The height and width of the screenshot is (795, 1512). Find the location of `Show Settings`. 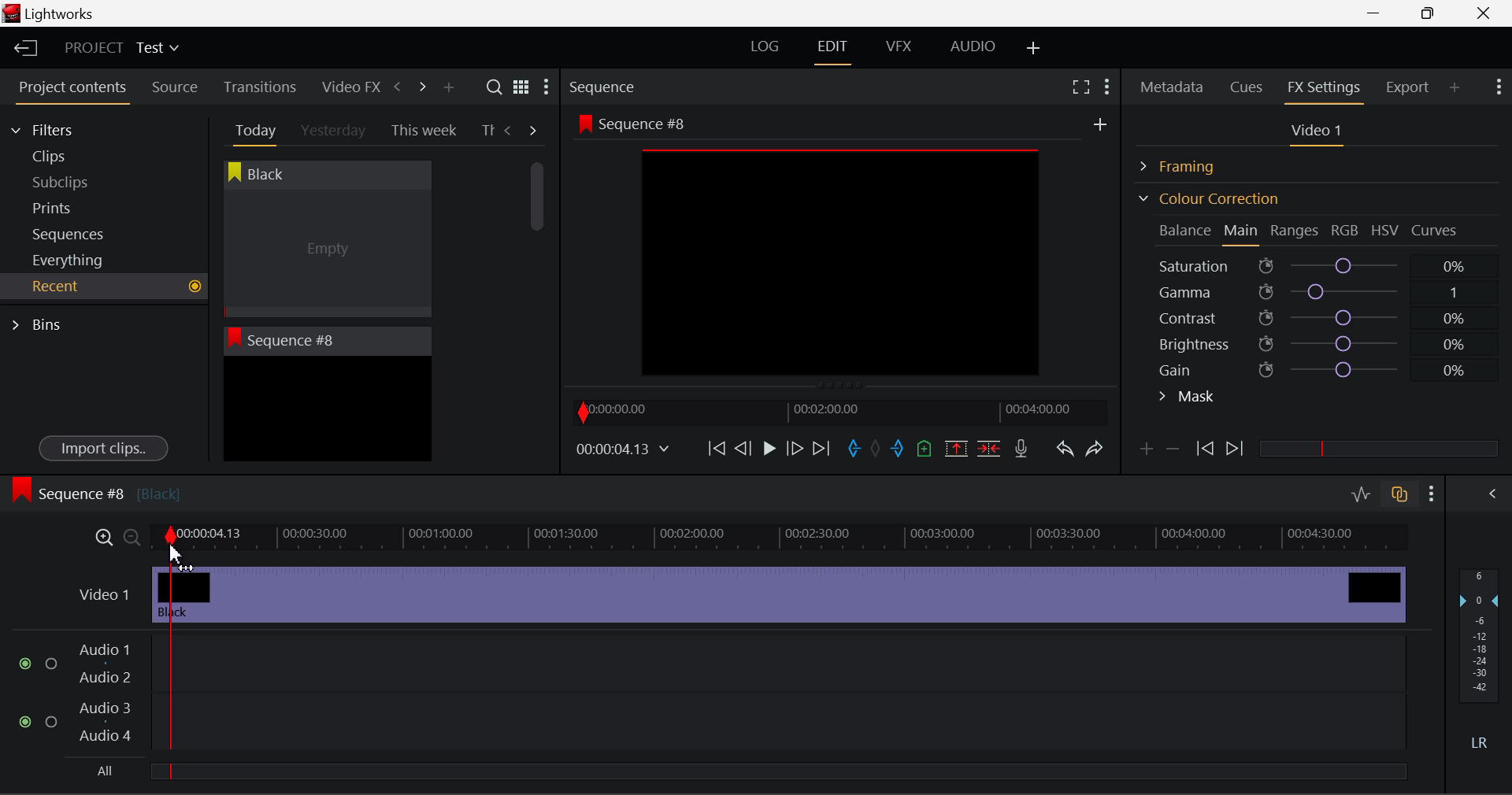

Show Settings is located at coordinates (1497, 85).